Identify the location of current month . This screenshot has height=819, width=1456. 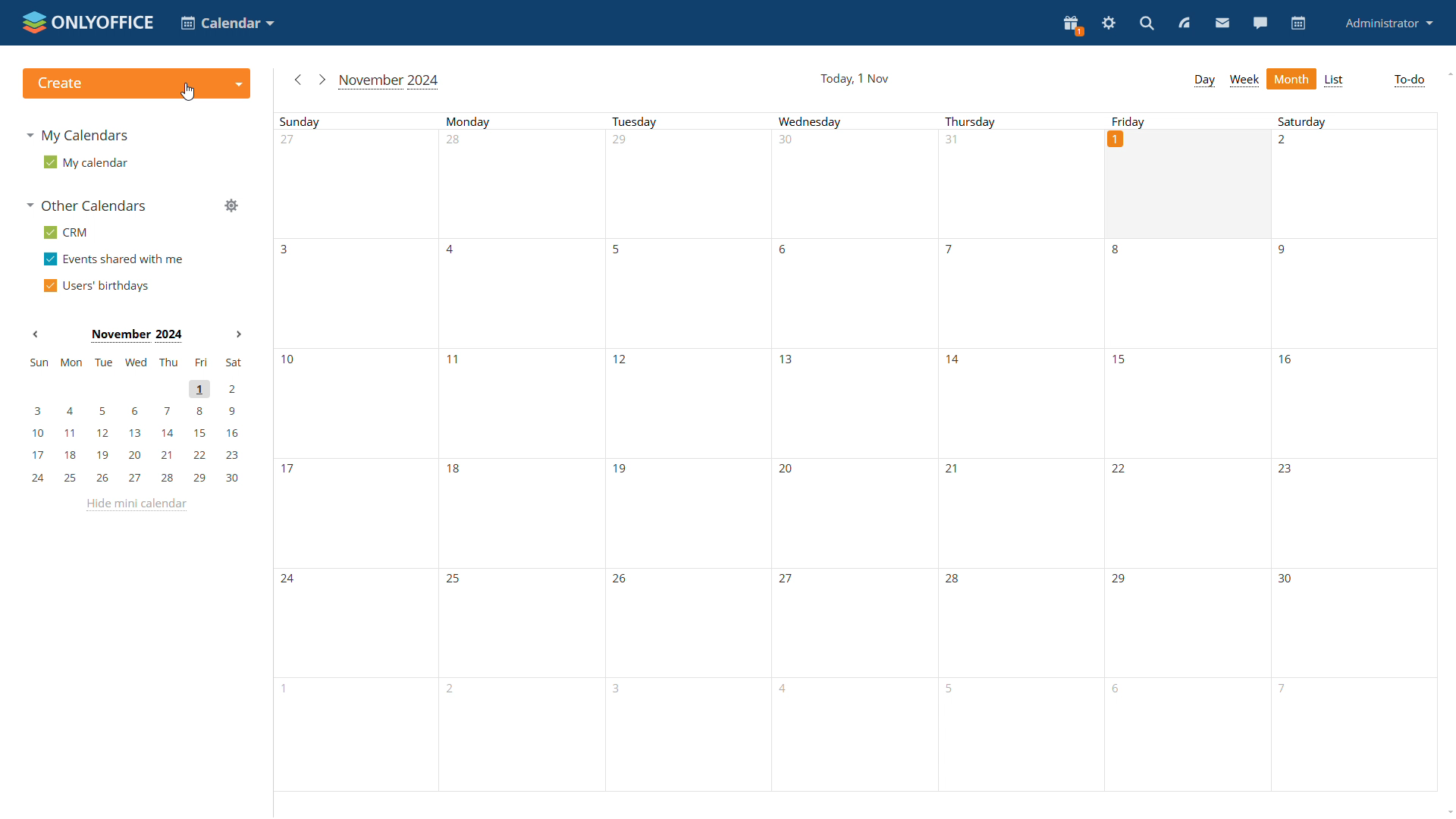
(391, 81).